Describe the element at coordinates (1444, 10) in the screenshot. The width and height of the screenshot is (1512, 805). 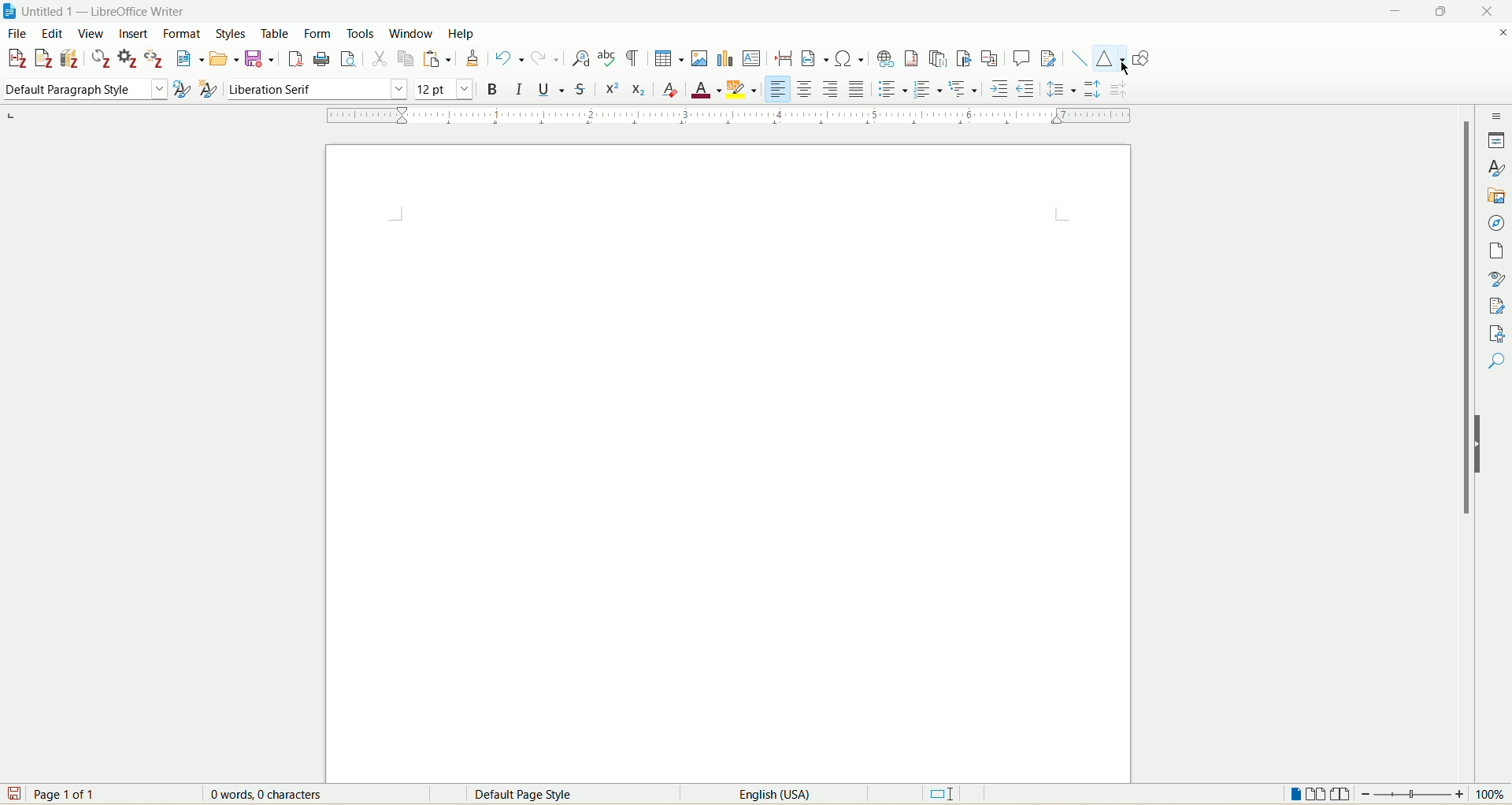
I see `maximize` at that location.